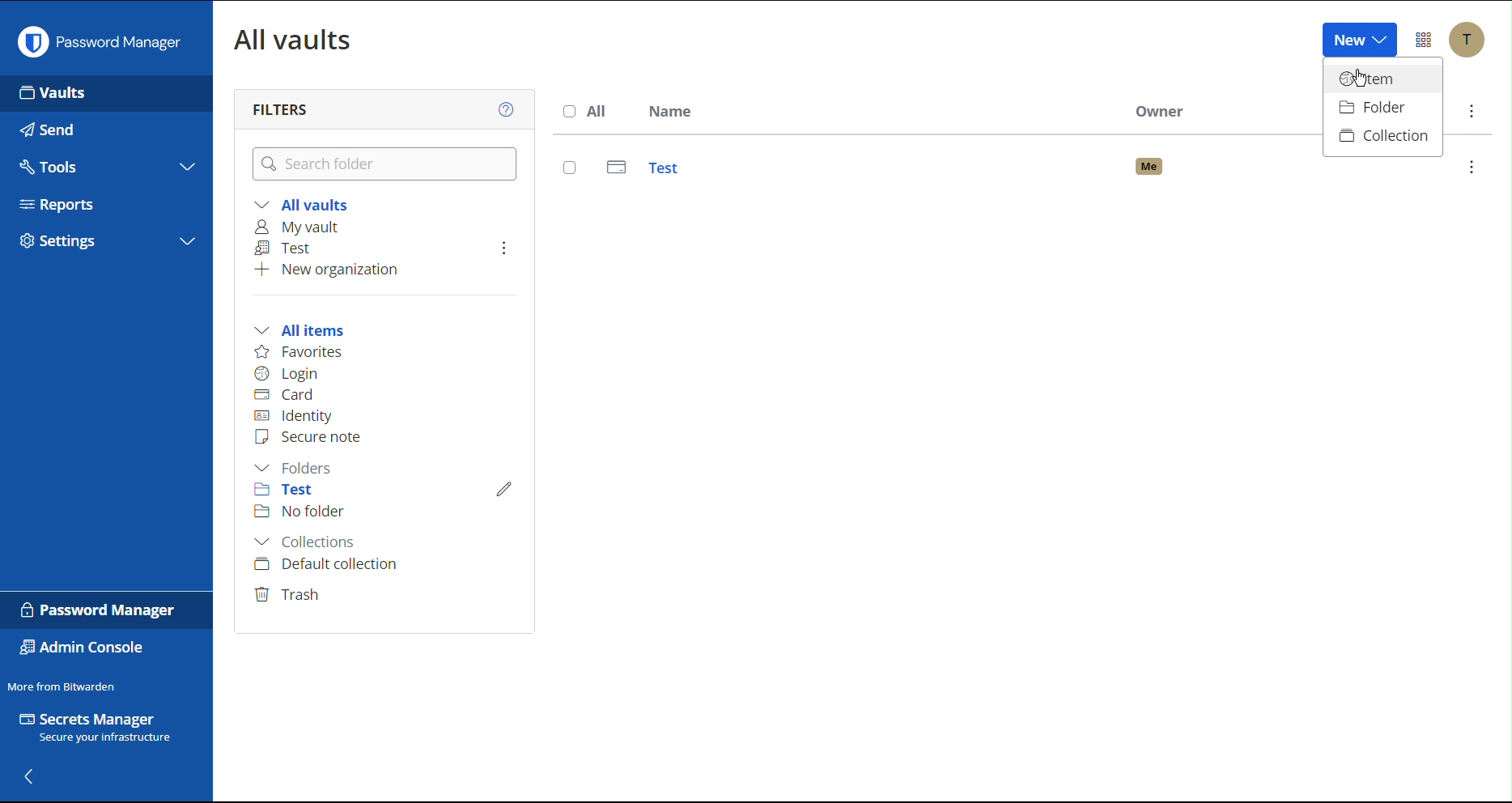 This screenshot has width=1512, height=803. Describe the element at coordinates (504, 486) in the screenshot. I see `Edit` at that location.